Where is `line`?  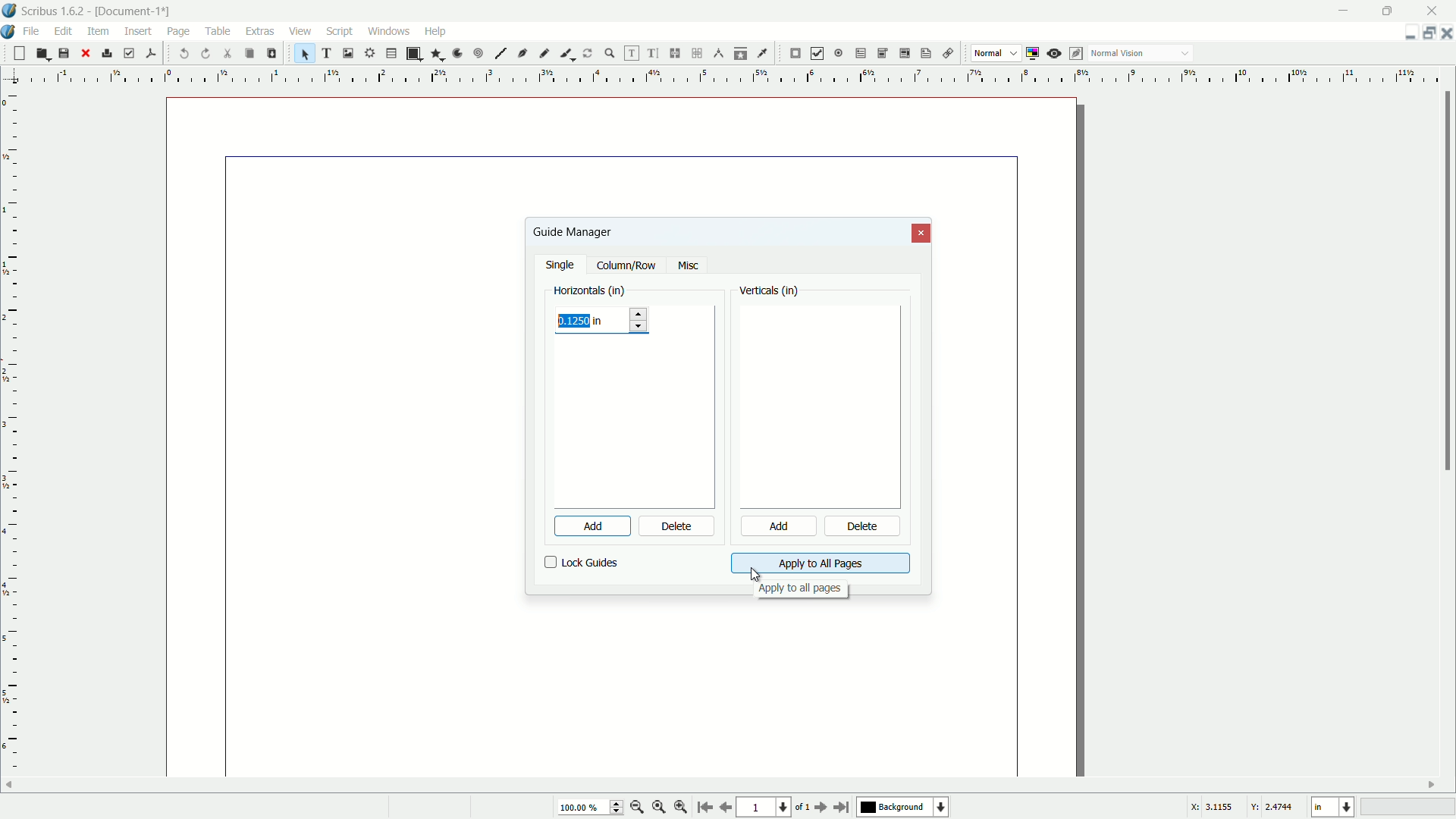 line is located at coordinates (500, 54).